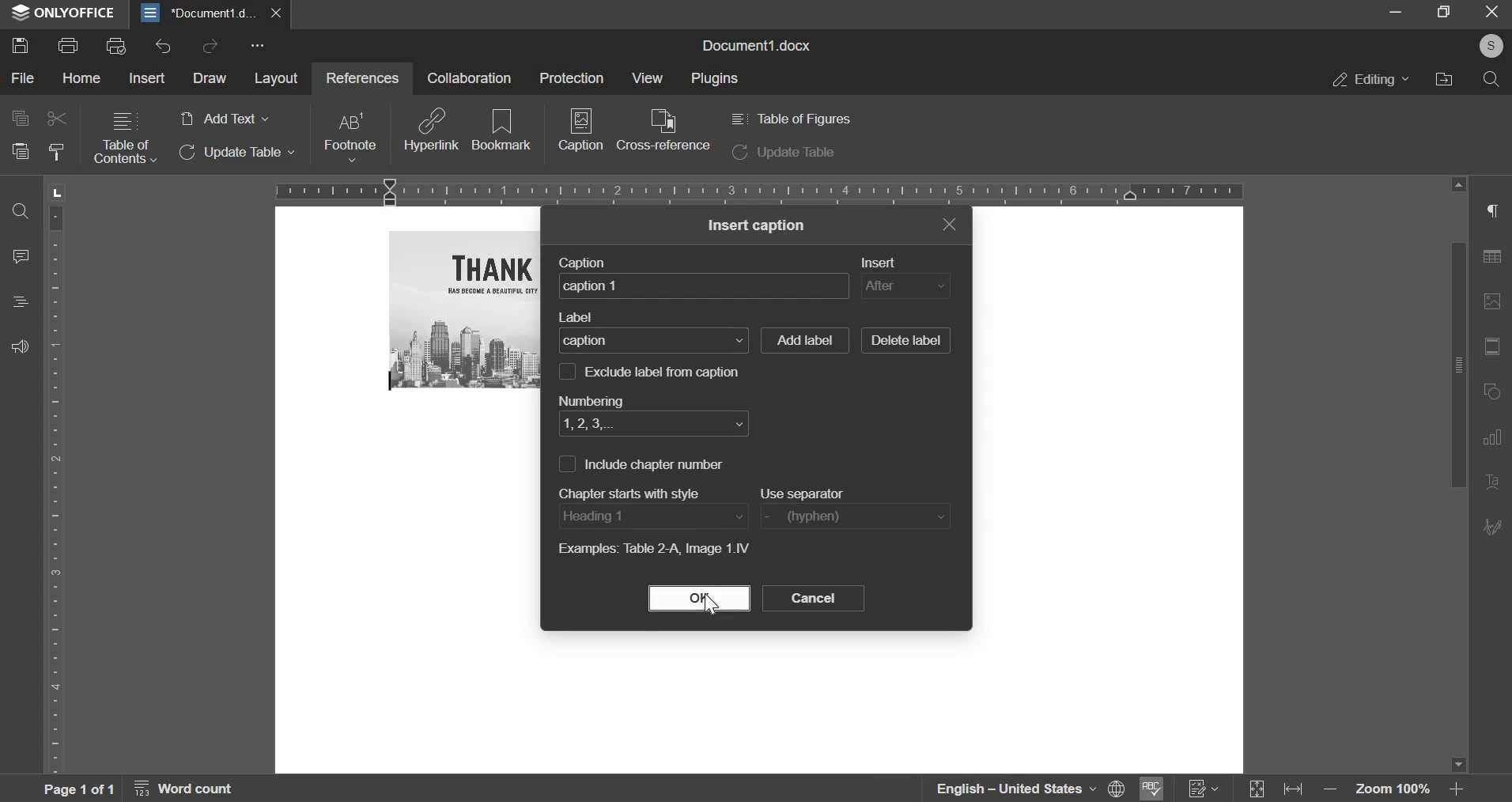 The image size is (1512, 802). I want to click on undo, so click(163, 47).